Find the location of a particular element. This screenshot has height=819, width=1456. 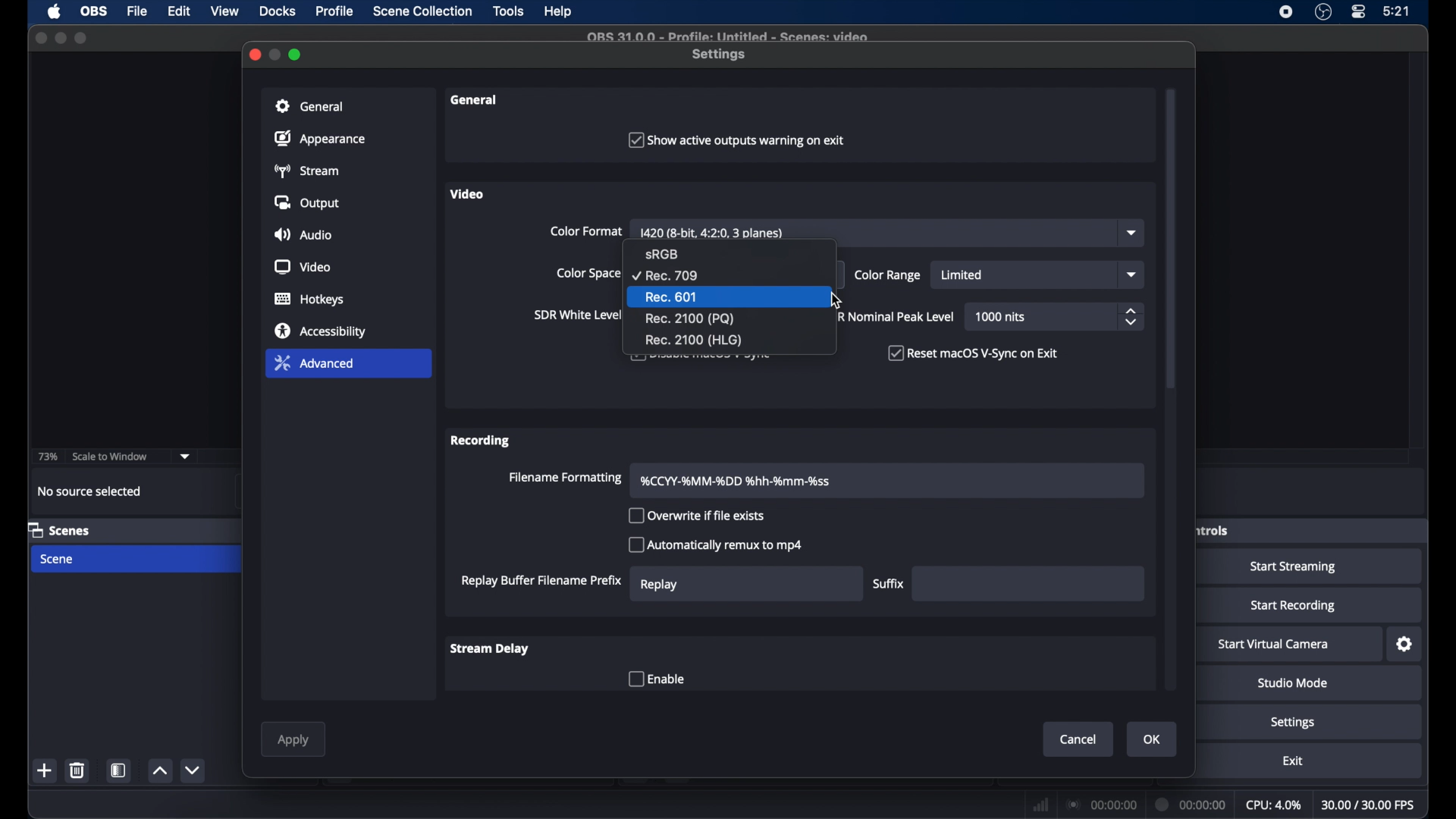

fps is located at coordinates (1368, 805).